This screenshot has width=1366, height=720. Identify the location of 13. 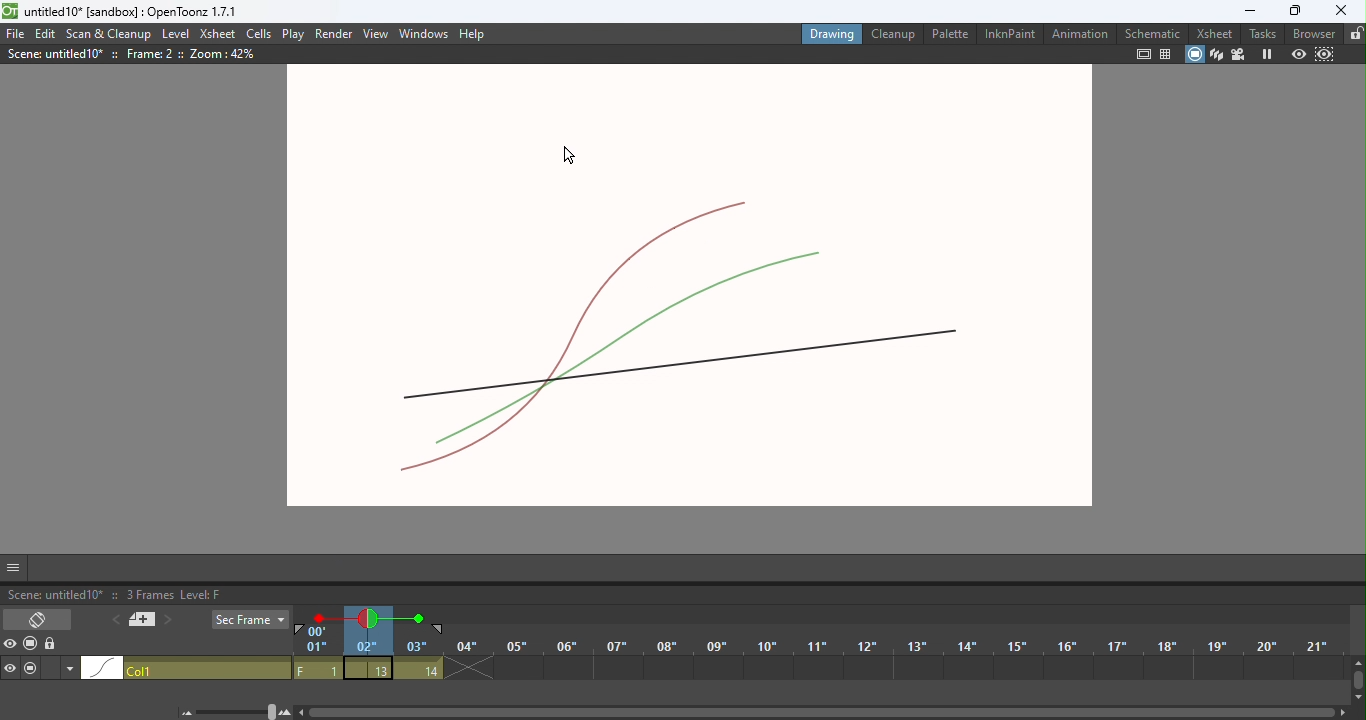
(368, 668).